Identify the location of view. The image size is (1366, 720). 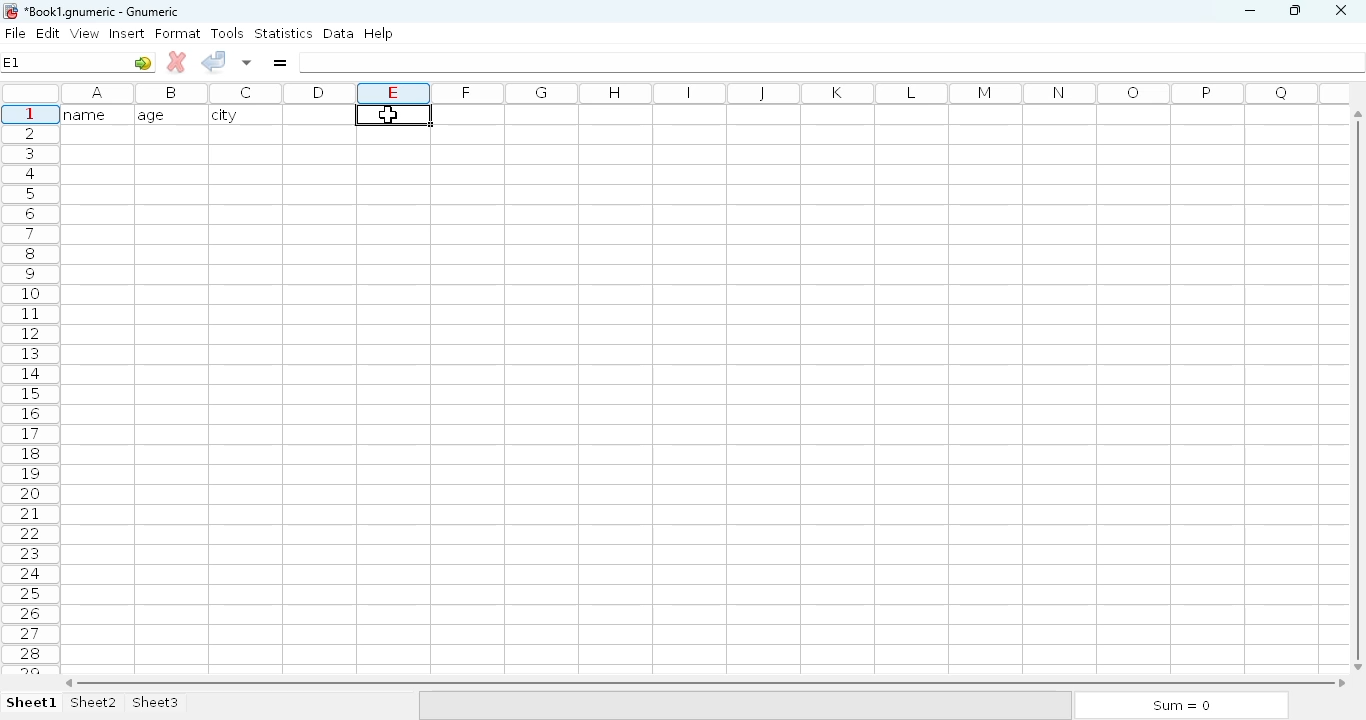
(85, 33).